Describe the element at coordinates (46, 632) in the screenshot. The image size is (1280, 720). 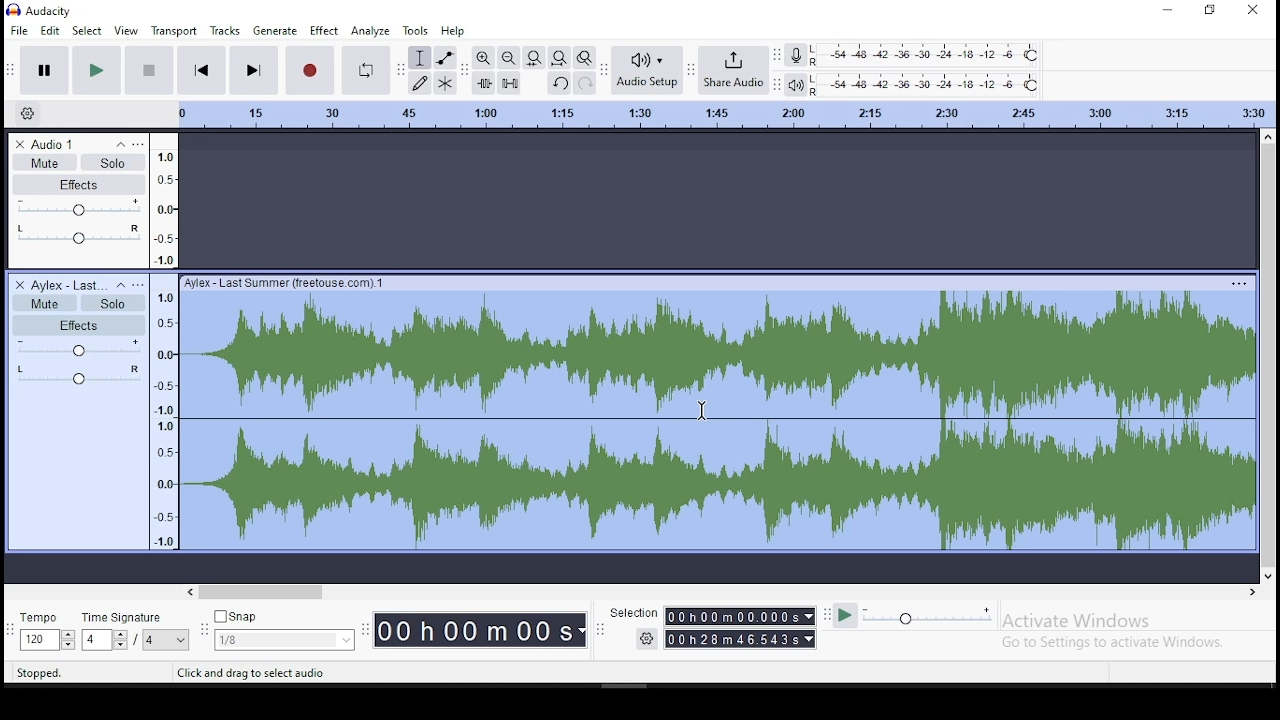
I see `tempo` at that location.